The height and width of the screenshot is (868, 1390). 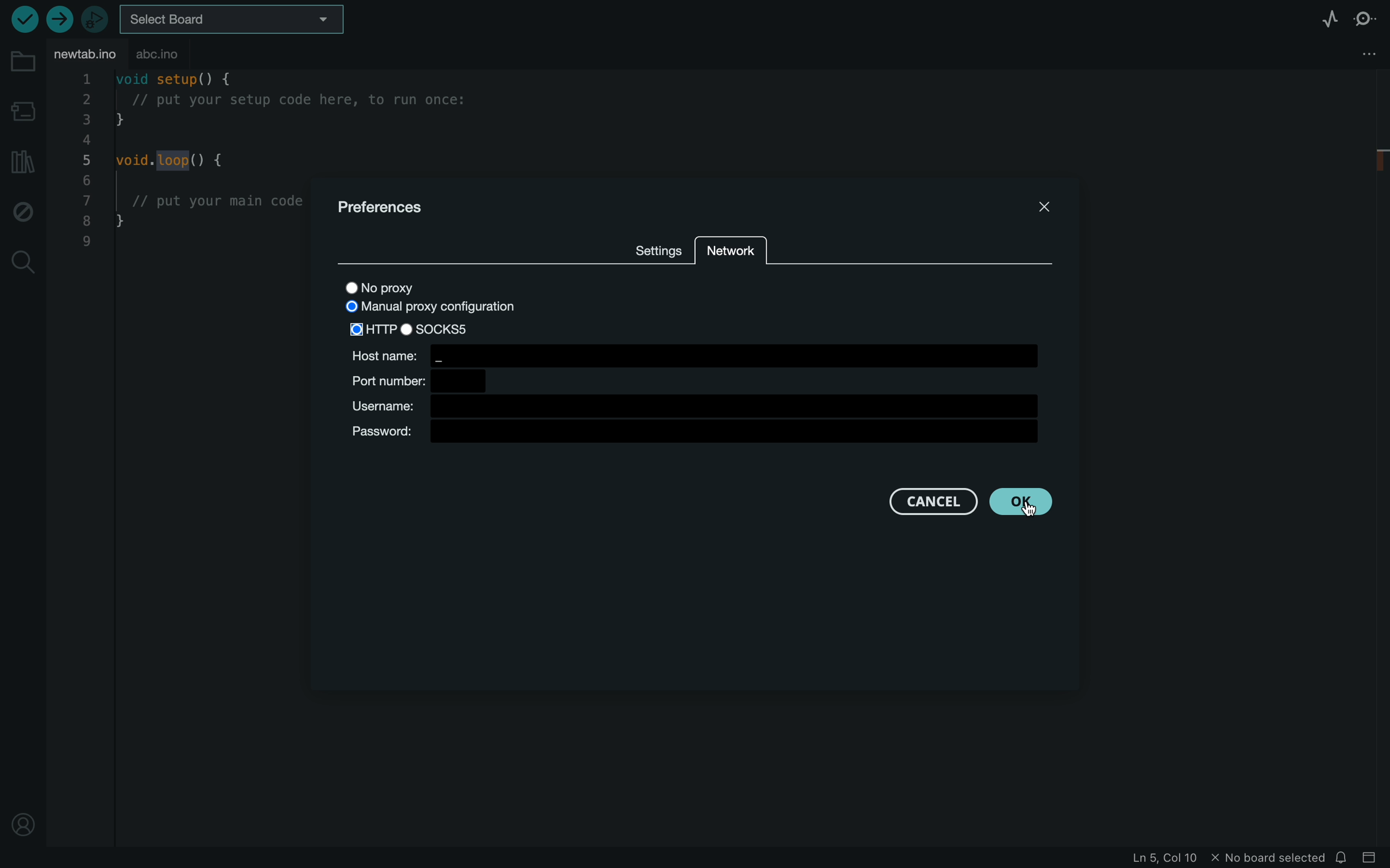 What do you see at coordinates (1371, 859) in the screenshot?
I see `close slide bar` at bounding box center [1371, 859].